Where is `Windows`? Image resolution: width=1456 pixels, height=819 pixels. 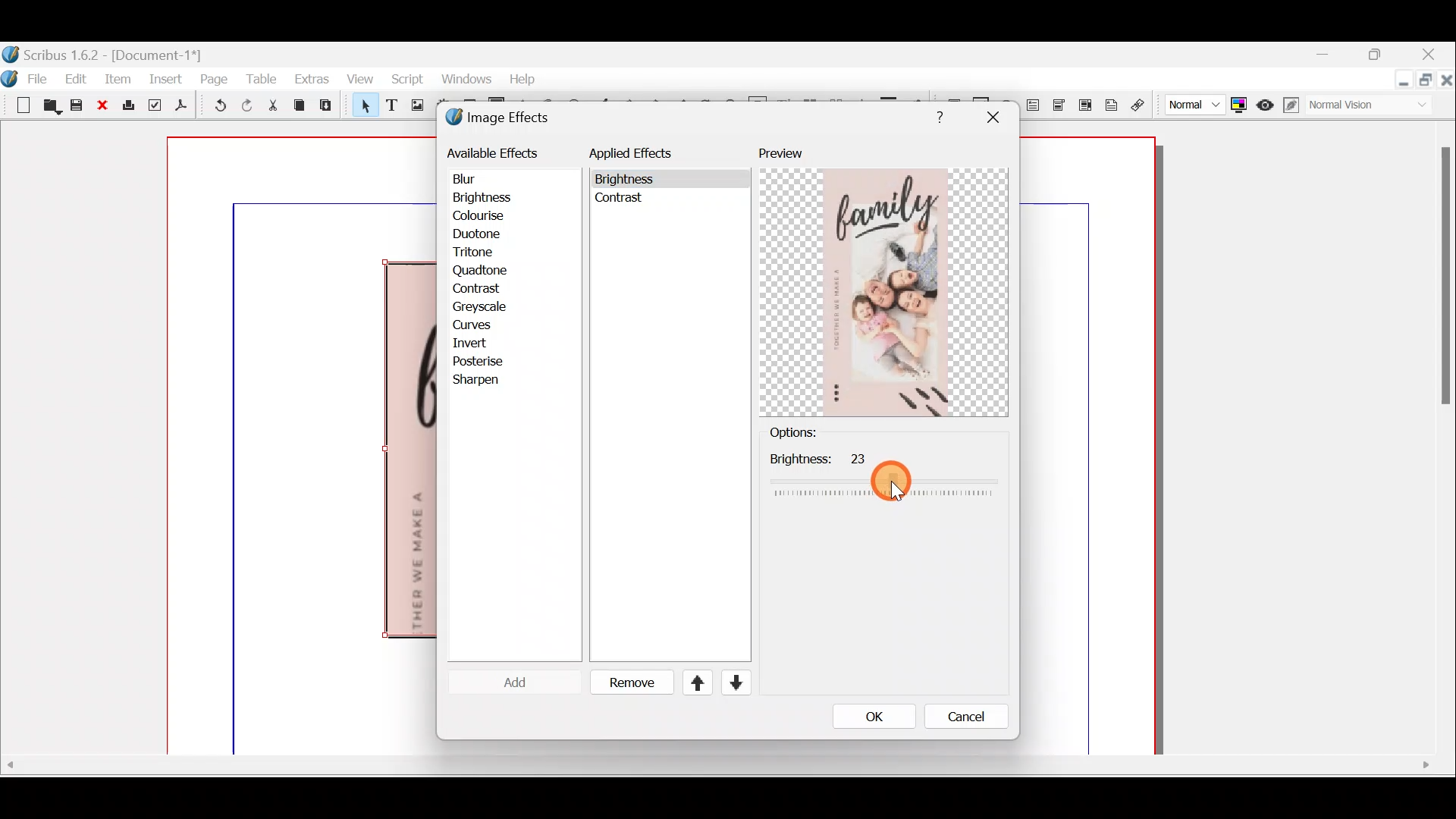 Windows is located at coordinates (462, 79).